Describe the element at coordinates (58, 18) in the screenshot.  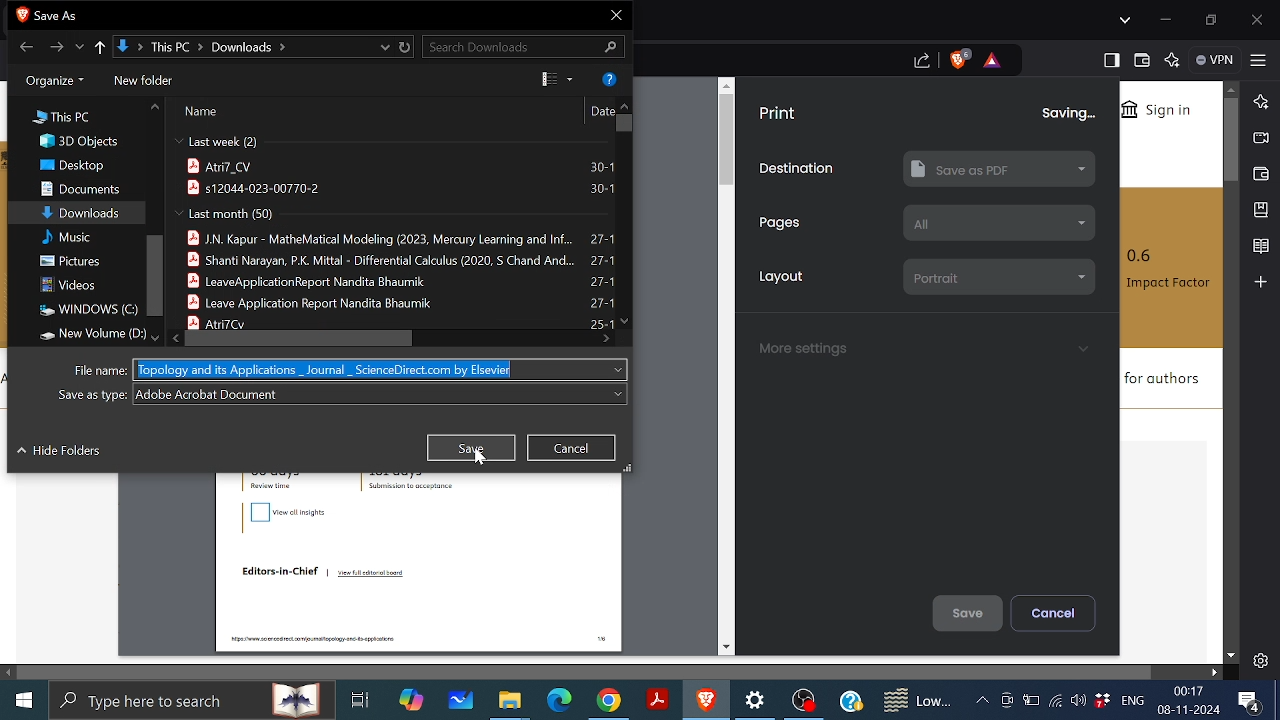
I see `save as` at that location.